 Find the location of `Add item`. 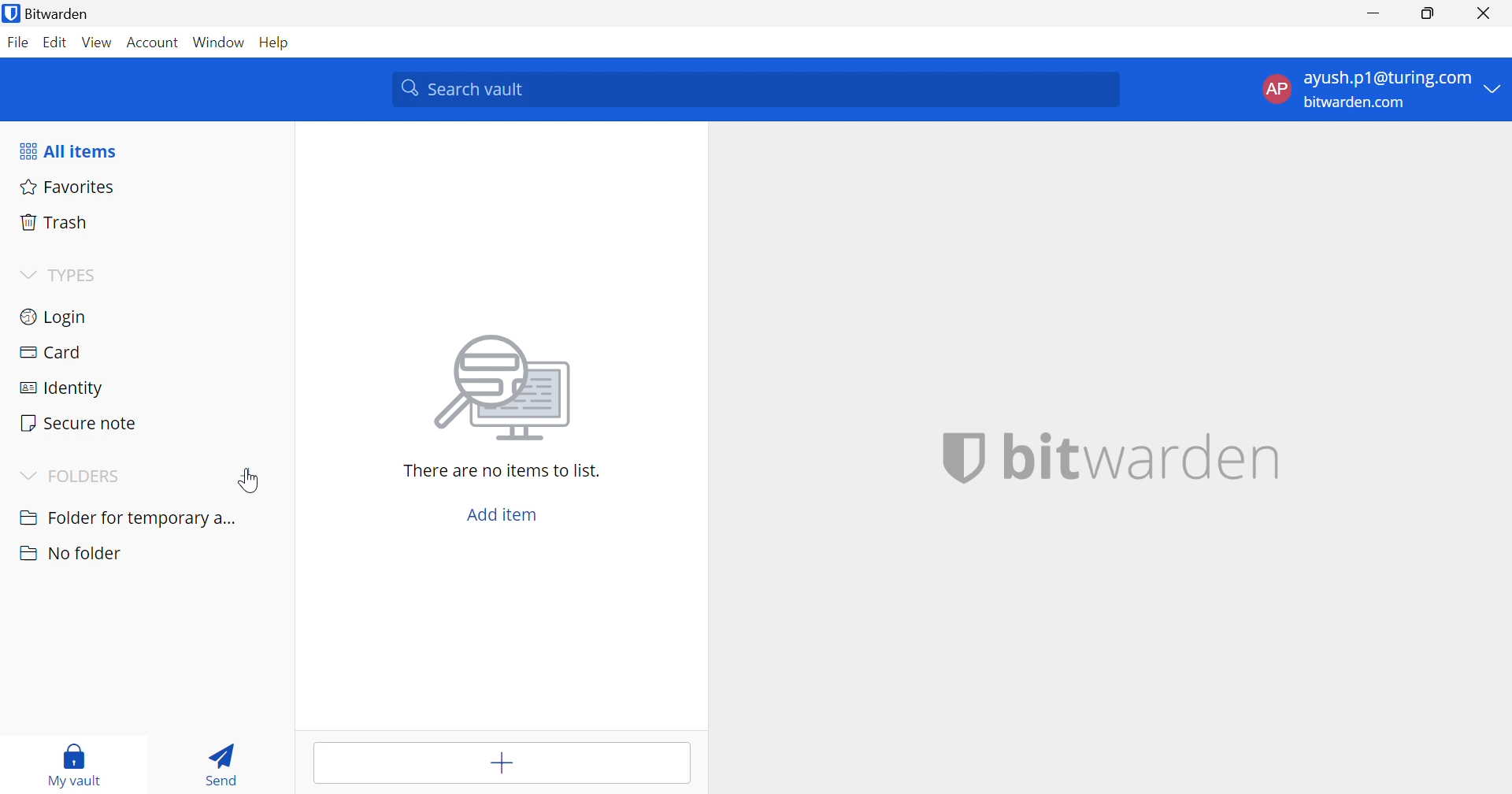

Add item is located at coordinates (502, 761).